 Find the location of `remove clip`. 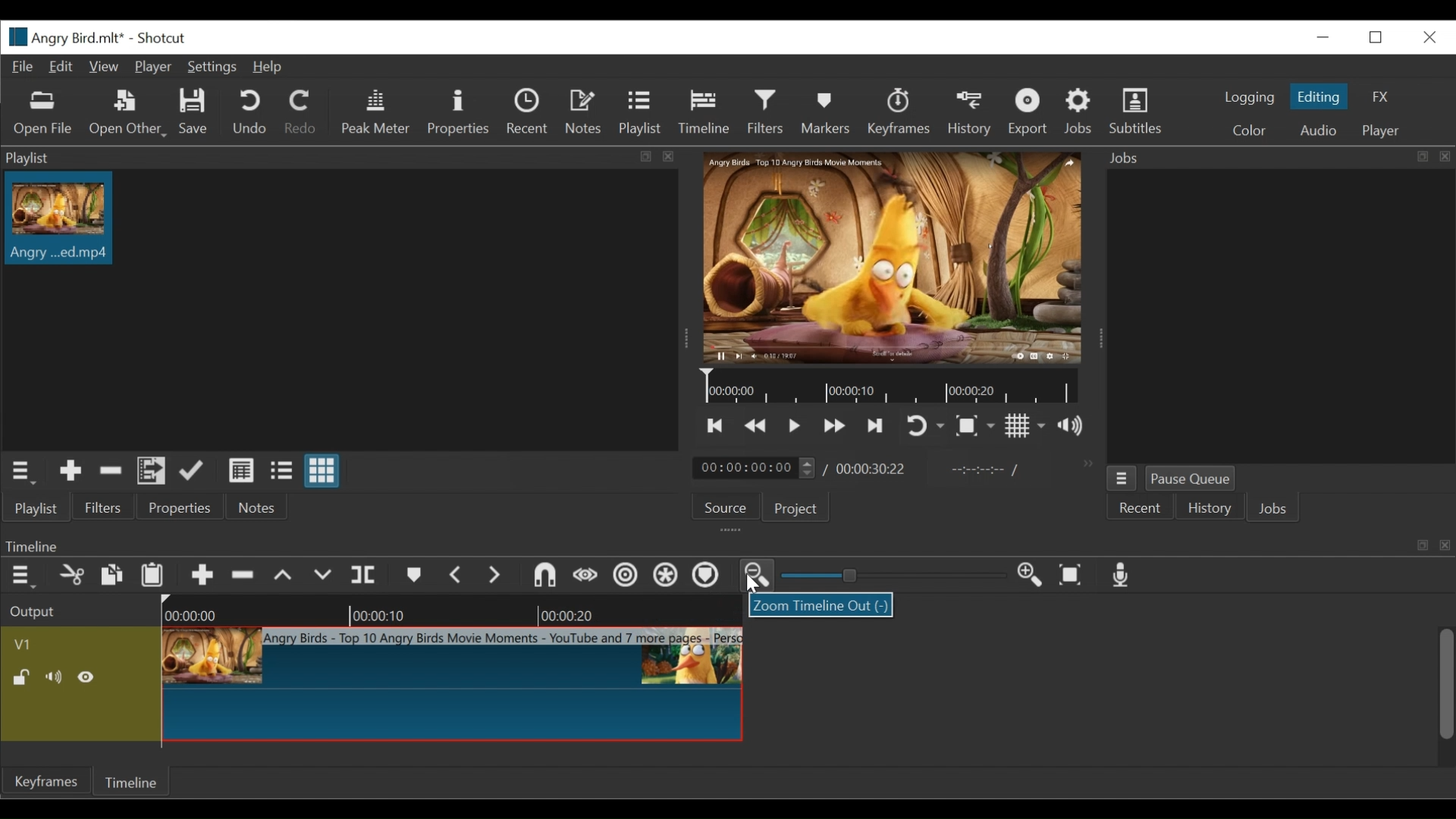

remove clip is located at coordinates (248, 575).